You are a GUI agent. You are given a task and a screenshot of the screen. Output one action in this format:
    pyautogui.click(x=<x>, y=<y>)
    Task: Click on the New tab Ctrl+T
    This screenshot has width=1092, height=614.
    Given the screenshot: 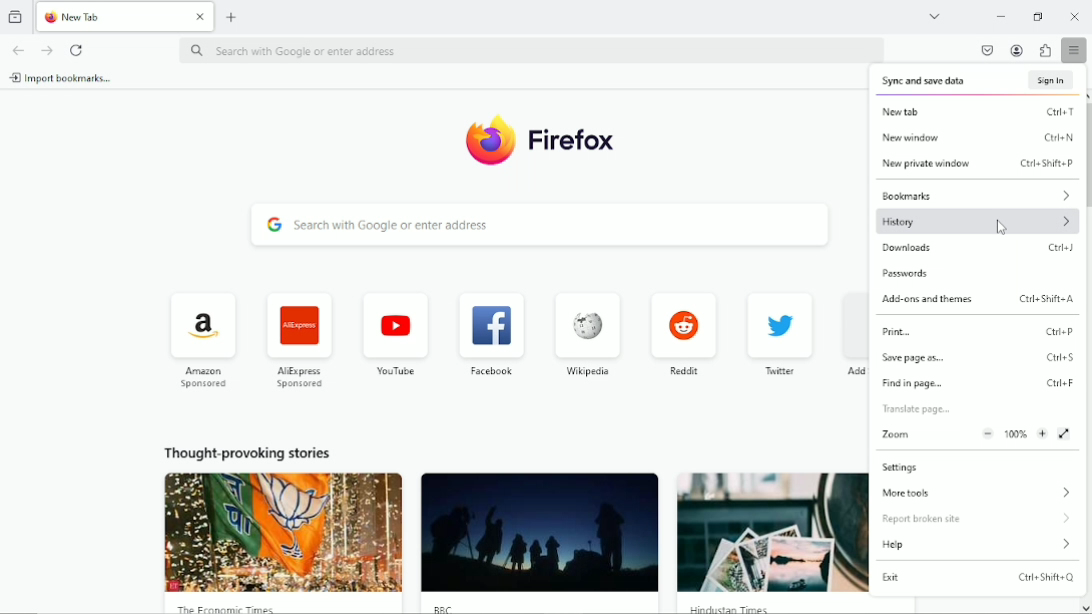 What is the action you would take?
    pyautogui.click(x=971, y=111)
    